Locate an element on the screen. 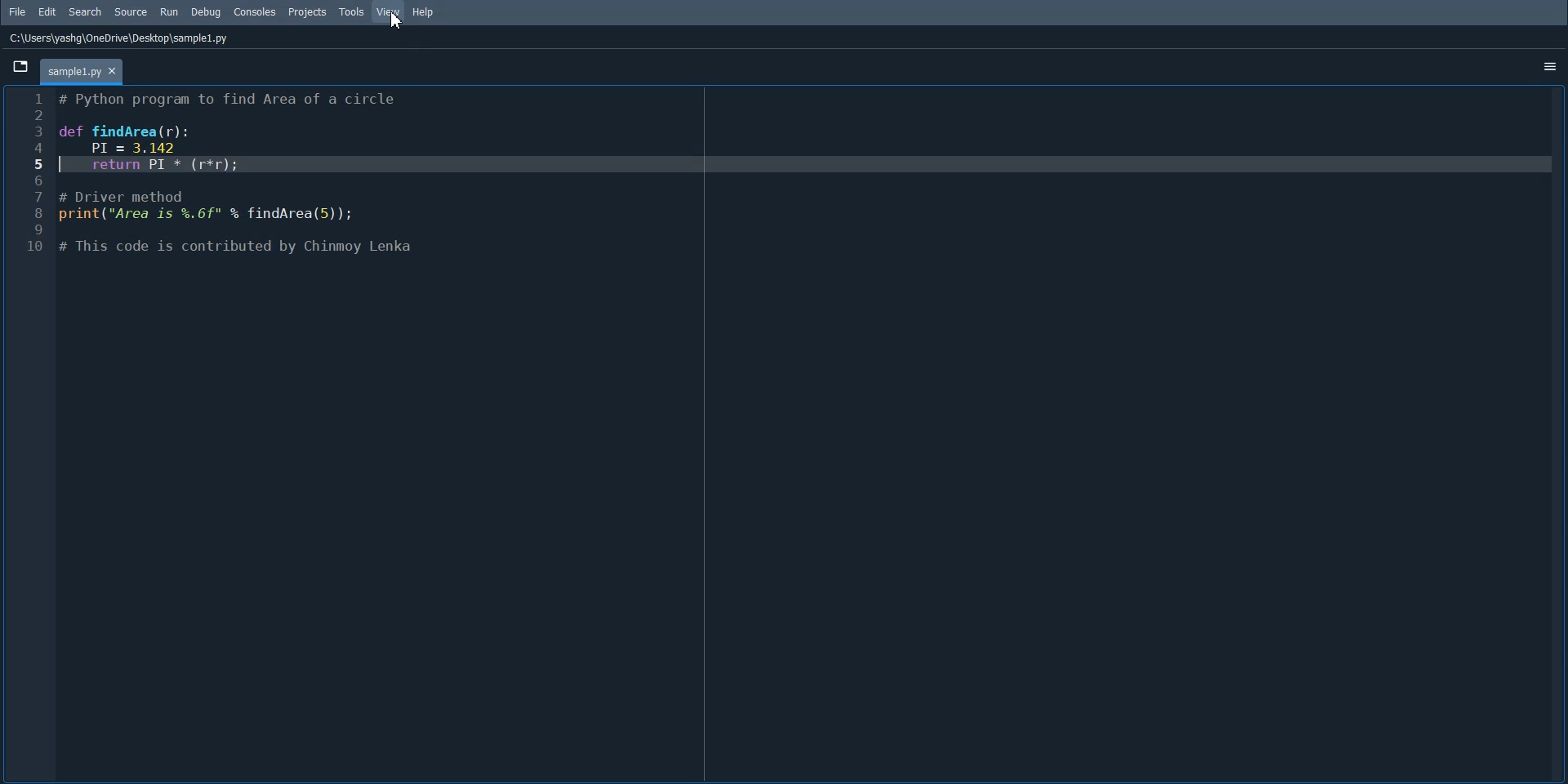 The width and height of the screenshot is (1568, 784). Debug is located at coordinates (206, 12).